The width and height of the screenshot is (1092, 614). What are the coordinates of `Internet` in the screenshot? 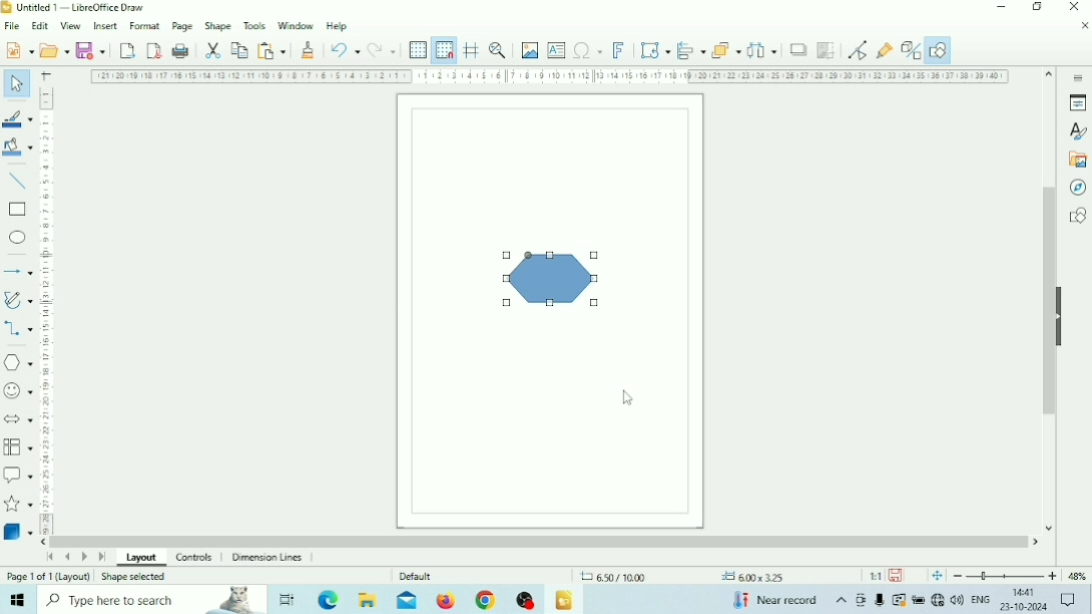 It's located at (937, 600).